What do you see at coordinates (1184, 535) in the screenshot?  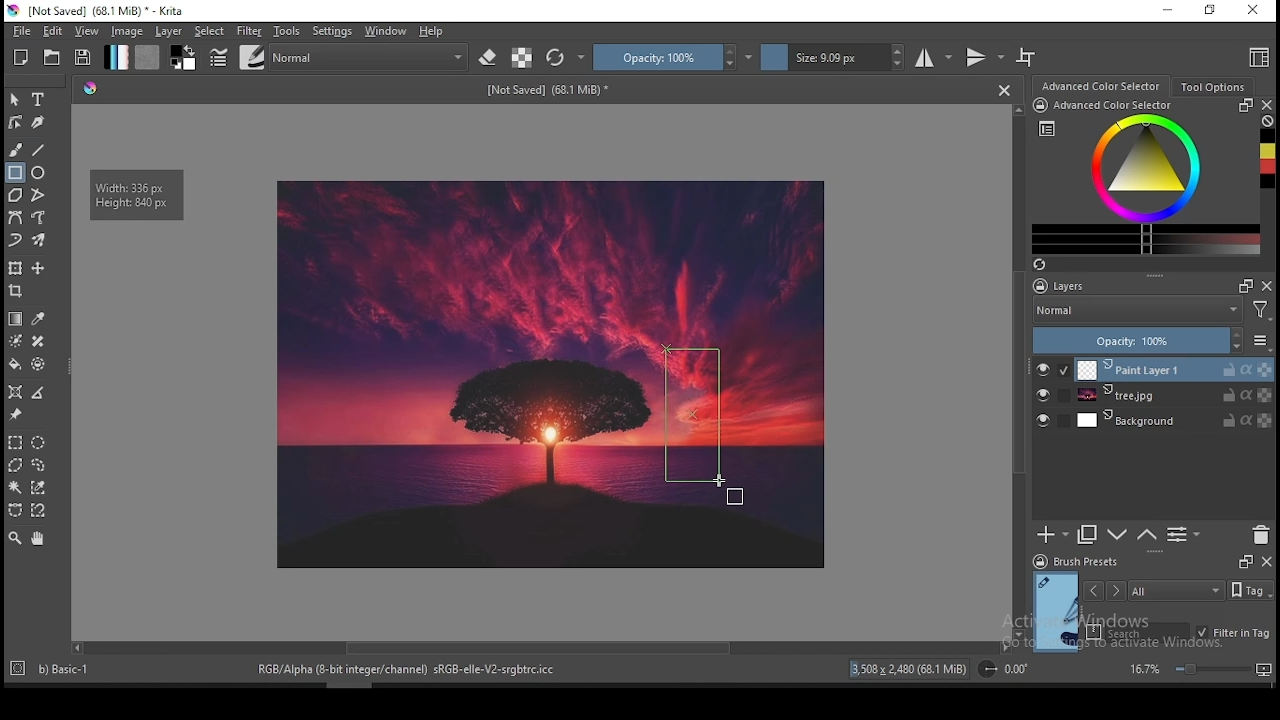 I see `view or change layer properties` at bounding box center [1184, 535].